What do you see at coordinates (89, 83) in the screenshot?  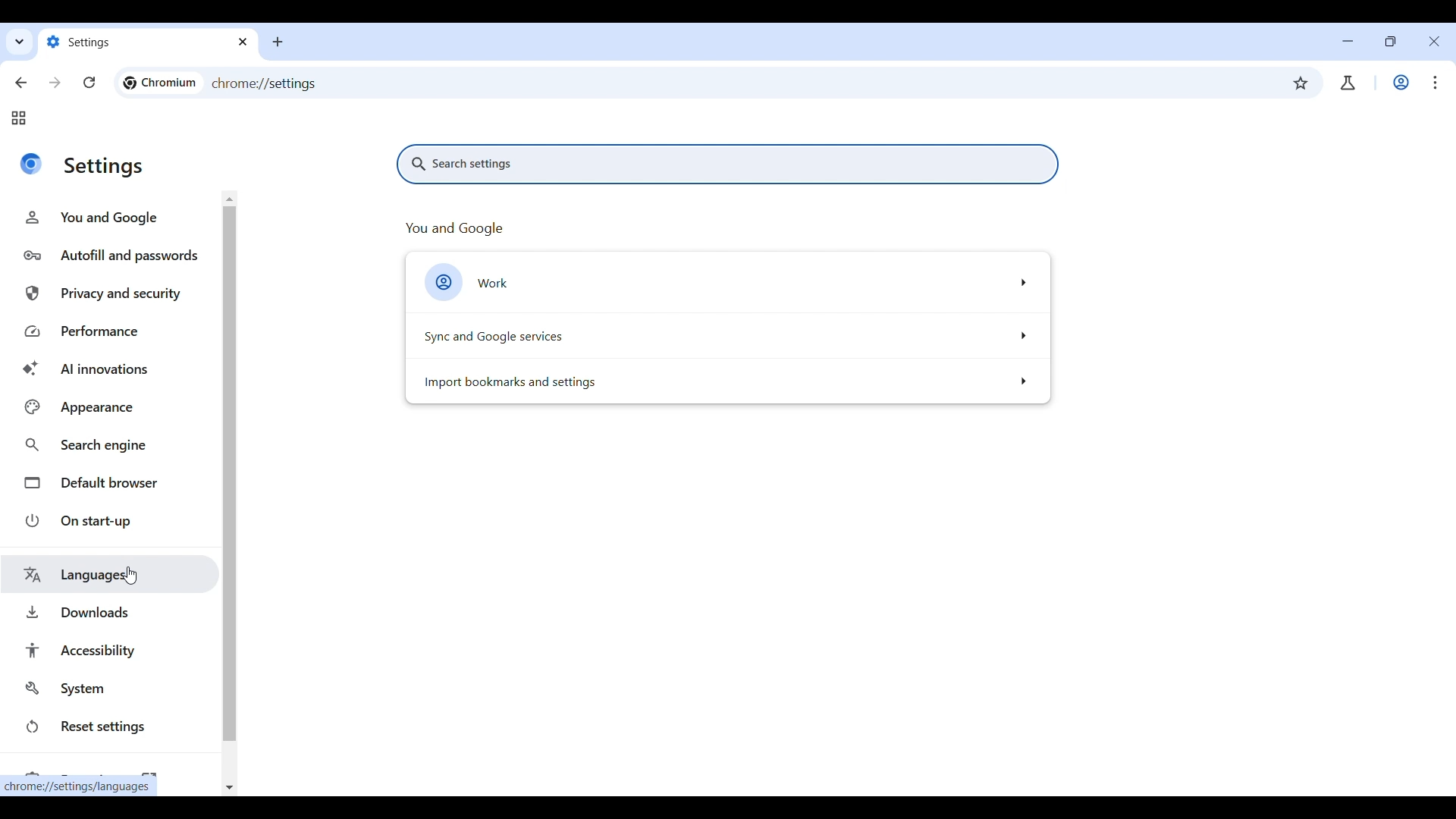 I see `Reload page` at bounding box center [89, 83].